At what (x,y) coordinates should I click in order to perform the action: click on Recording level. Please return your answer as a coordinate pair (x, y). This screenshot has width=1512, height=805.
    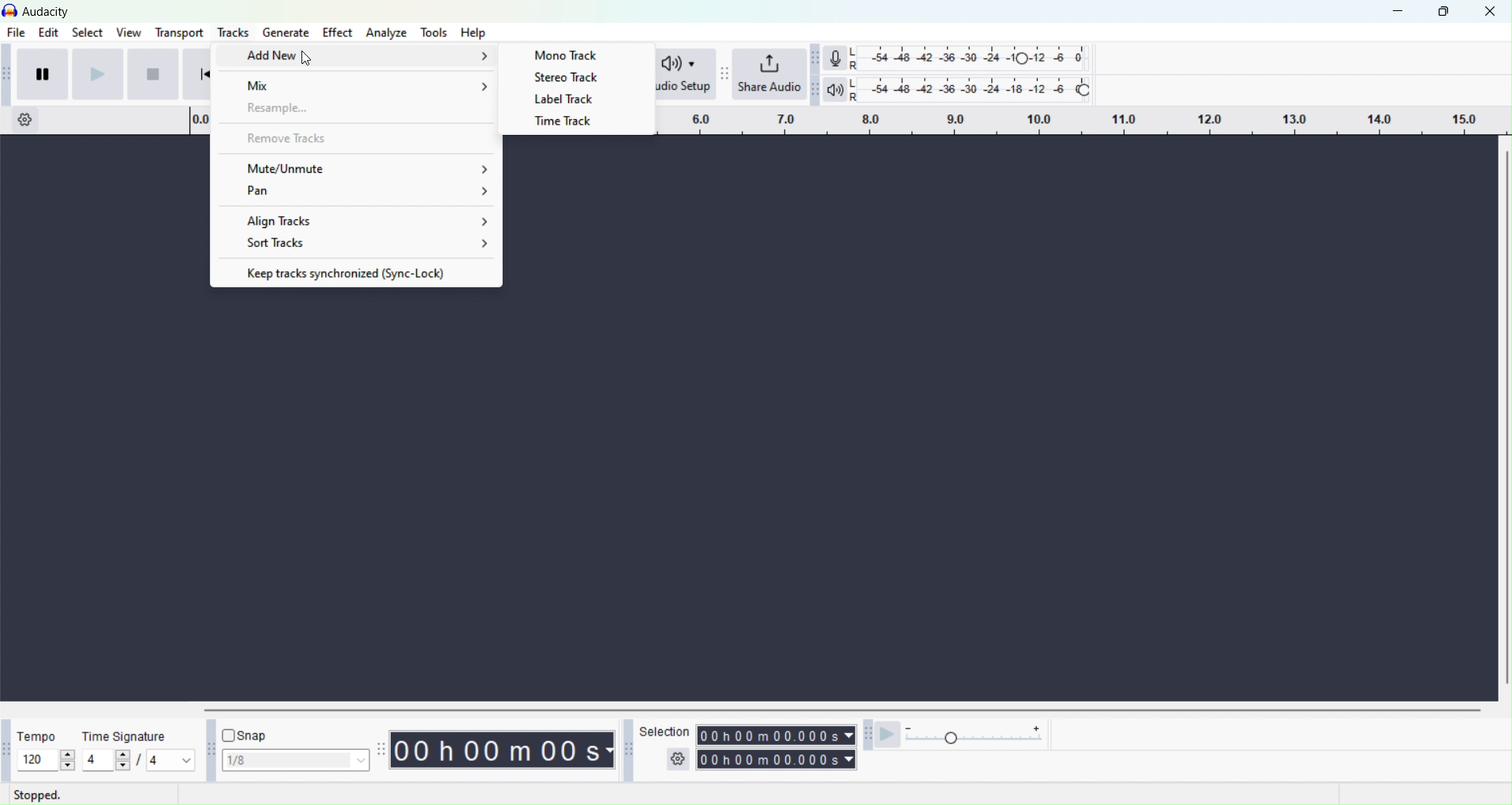
    Looking at the image, I should click on (968, 58).